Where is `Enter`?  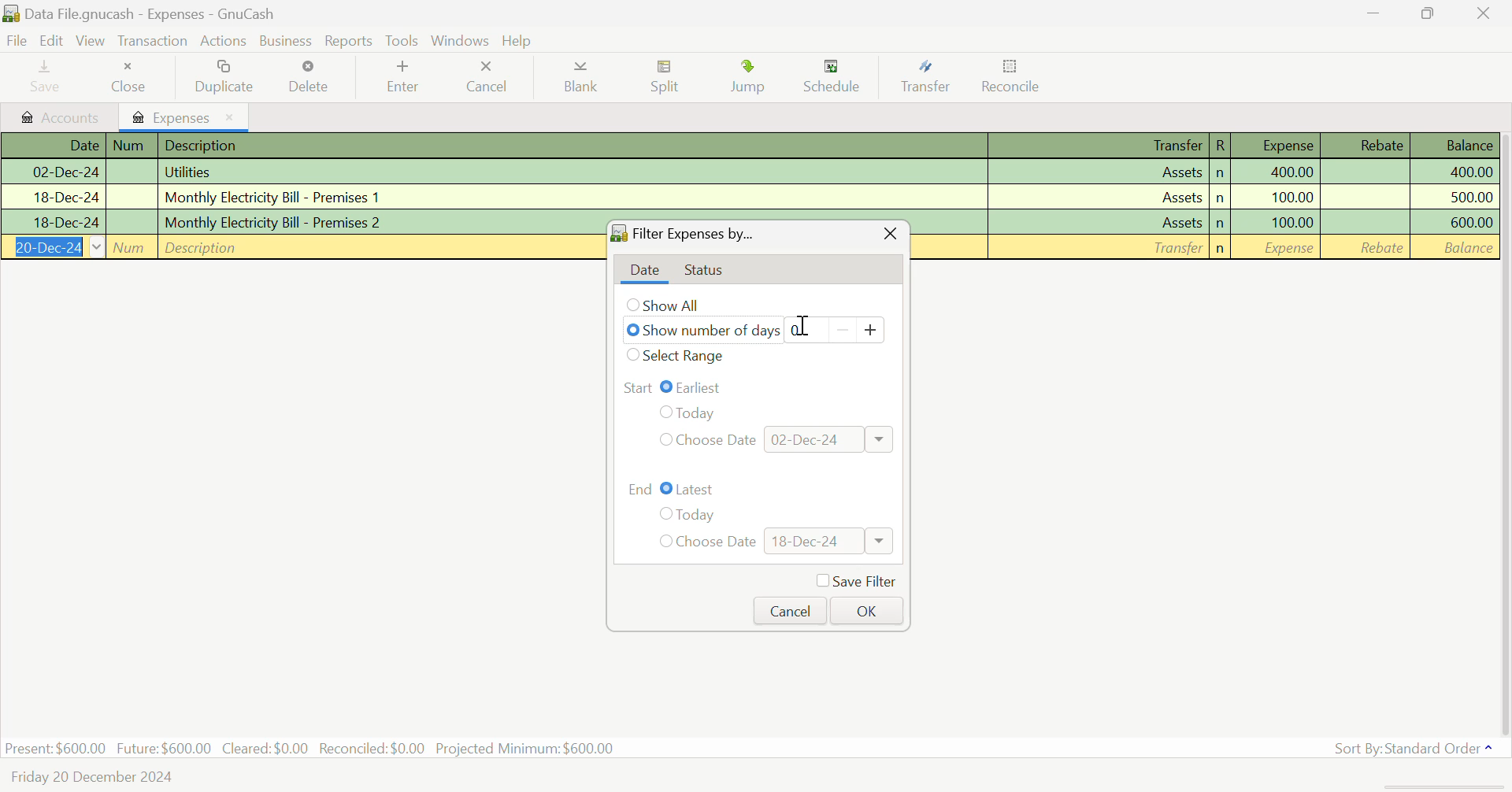
Enter is located at coordinates (406, 76).